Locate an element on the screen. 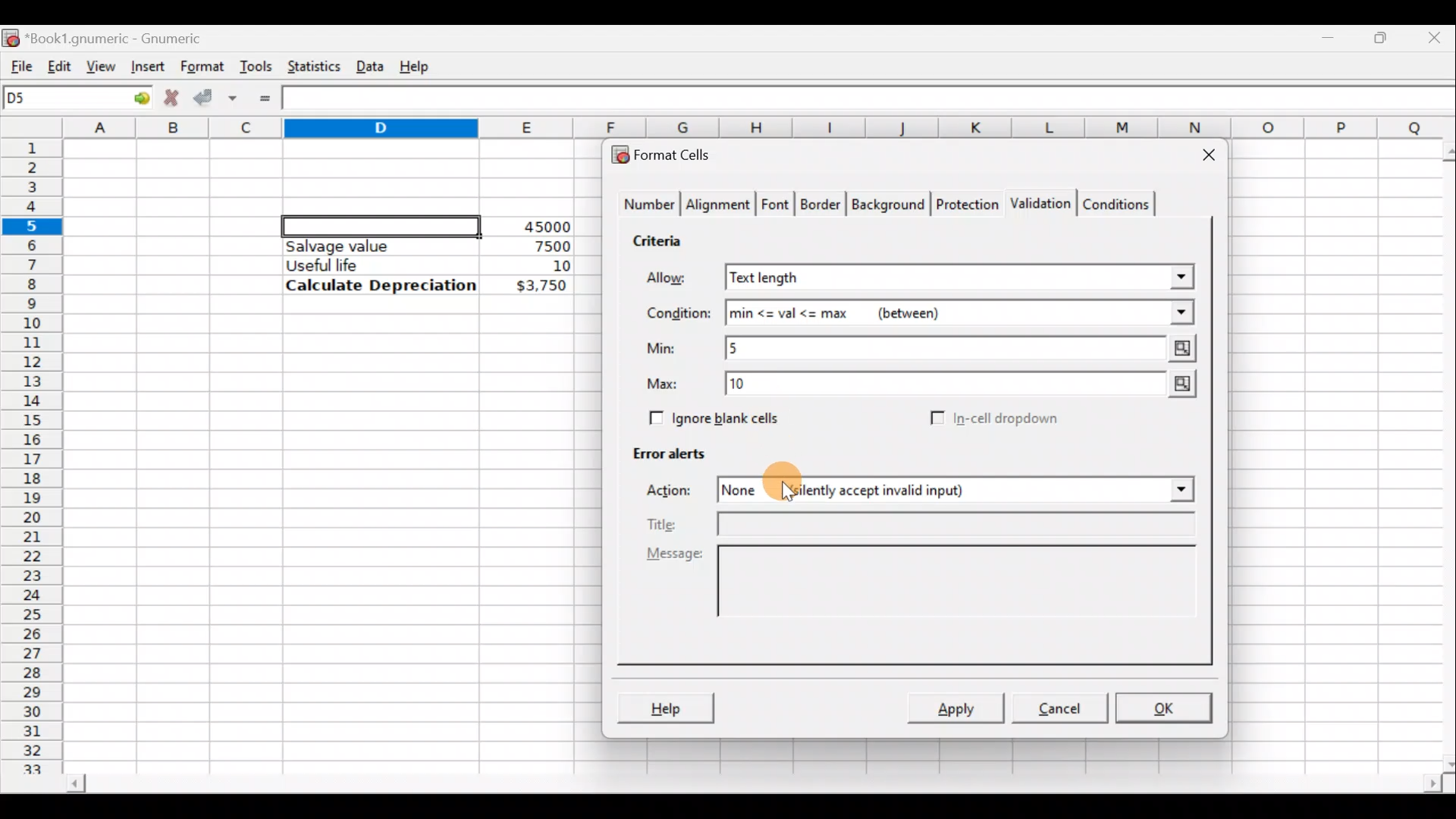 The image size is (1456, 819). Format cells is located at coordinates (670, 152).